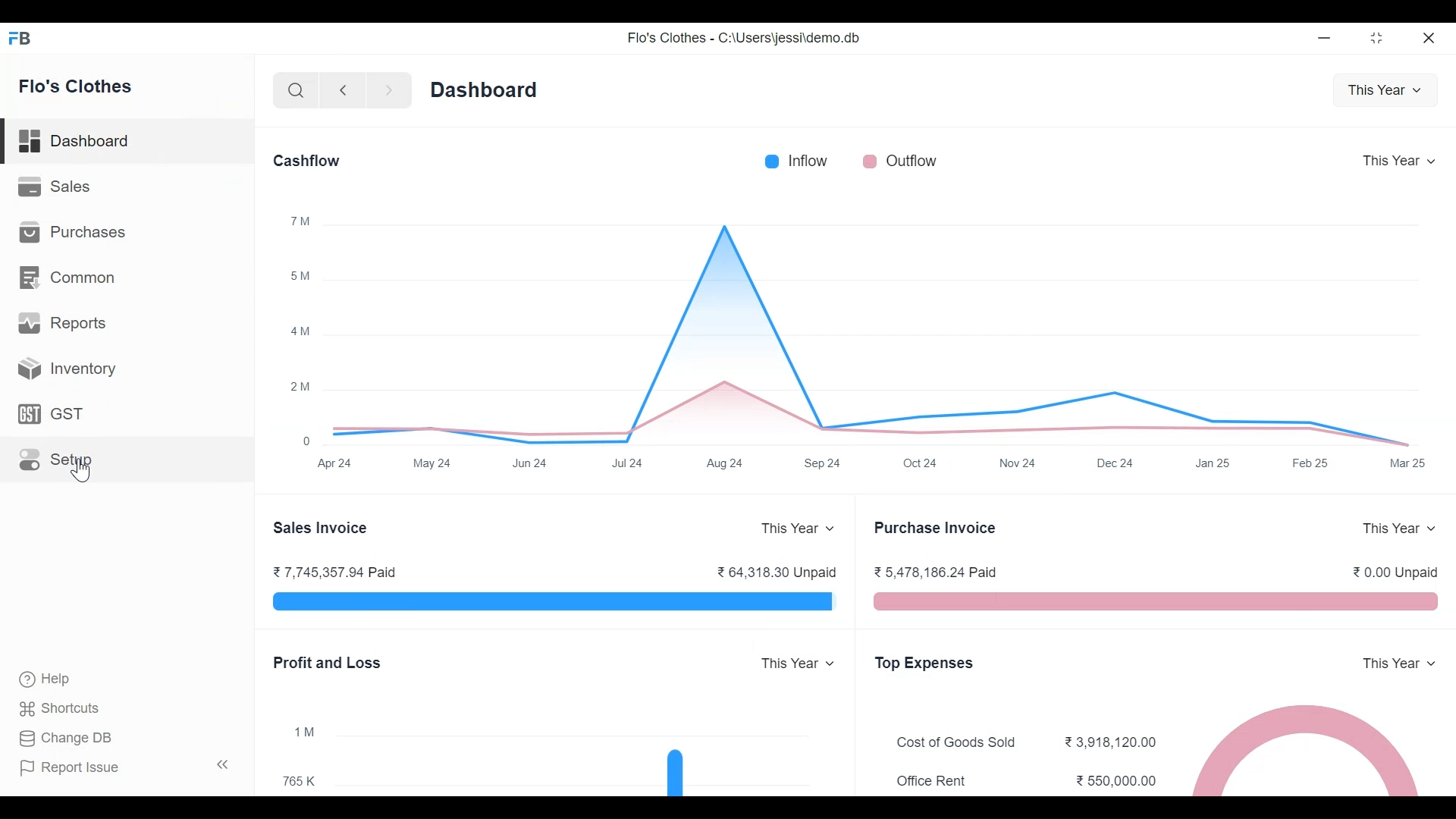  Describe the element at coordinates (545, 605) in the screenshot. I see `Paid/Unpaid status bar` at that location.